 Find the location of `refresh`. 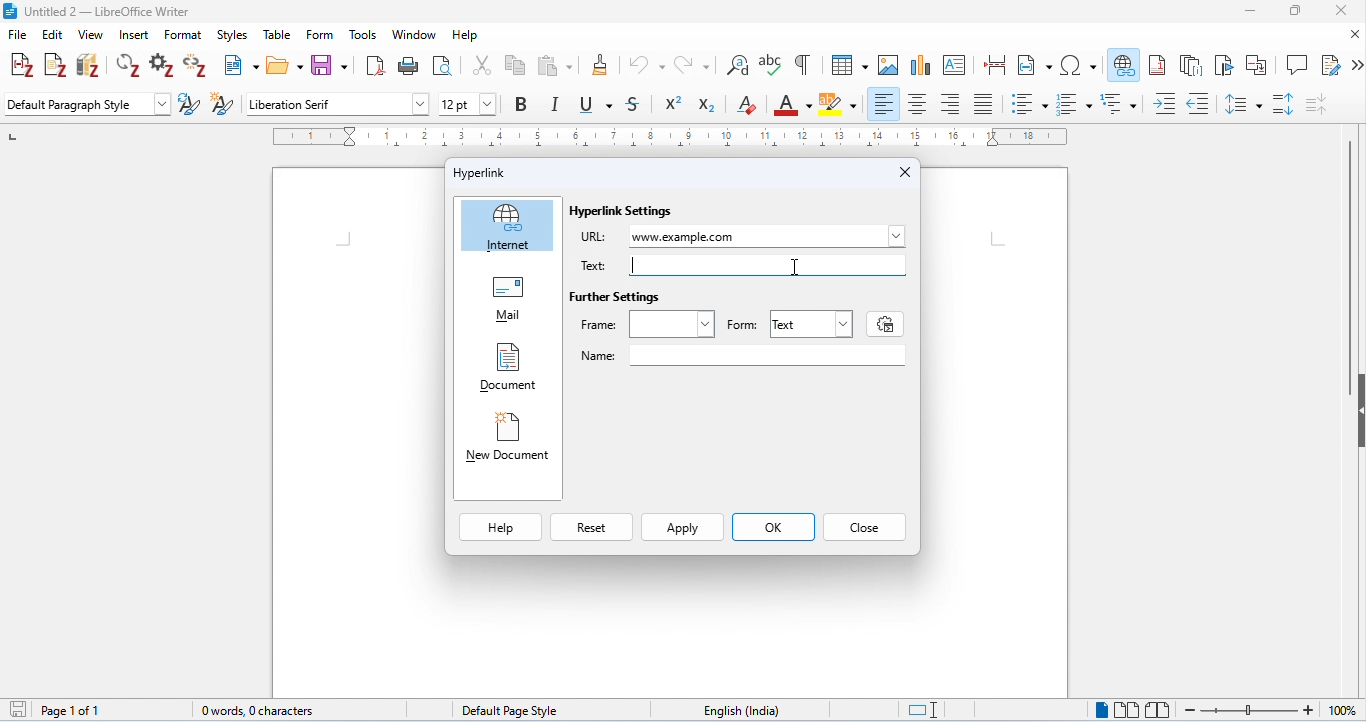

refresh is located at coordinates (129, 66).